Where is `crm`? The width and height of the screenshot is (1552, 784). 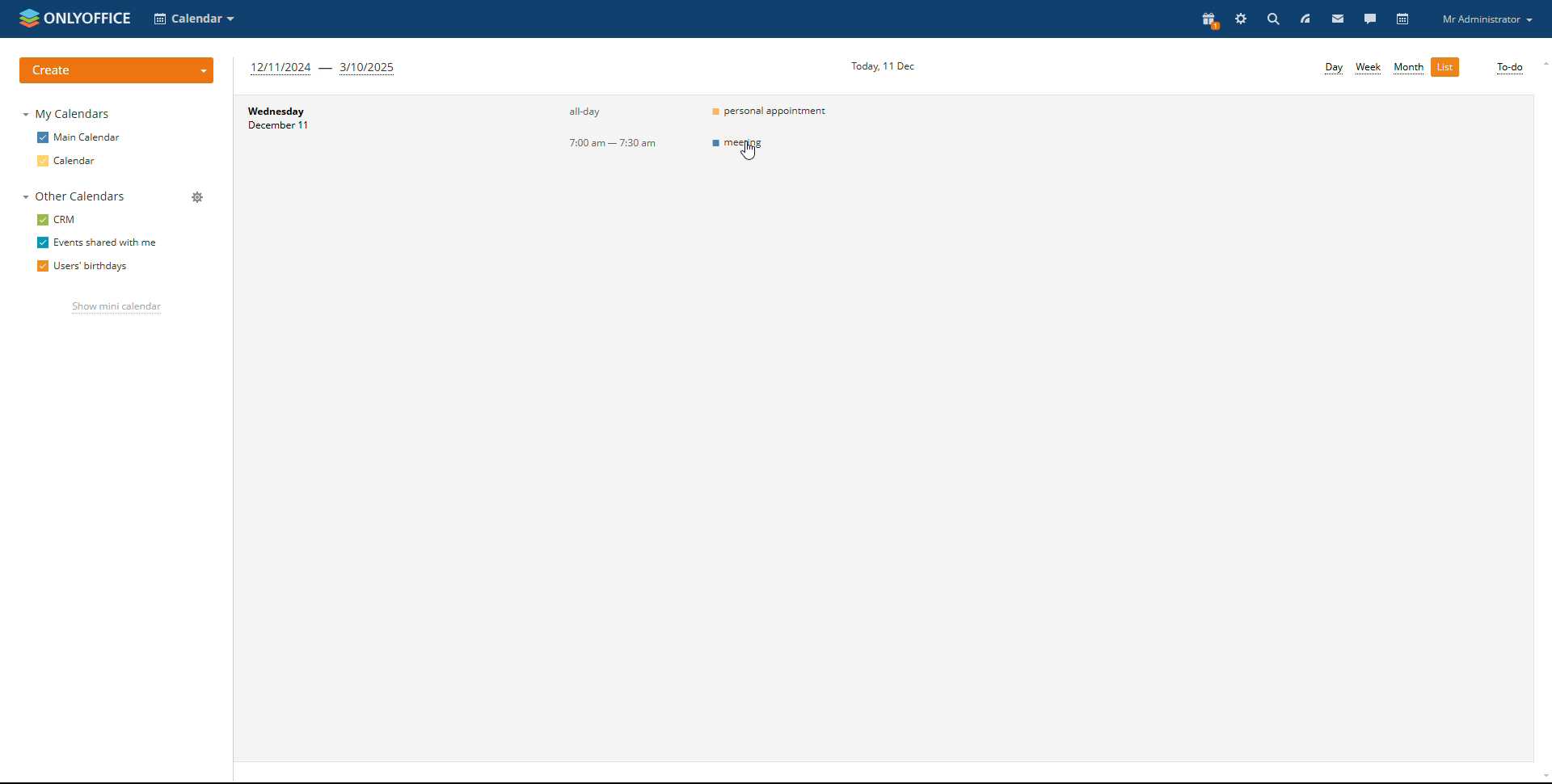
crm is located at coordinates (59, 219).